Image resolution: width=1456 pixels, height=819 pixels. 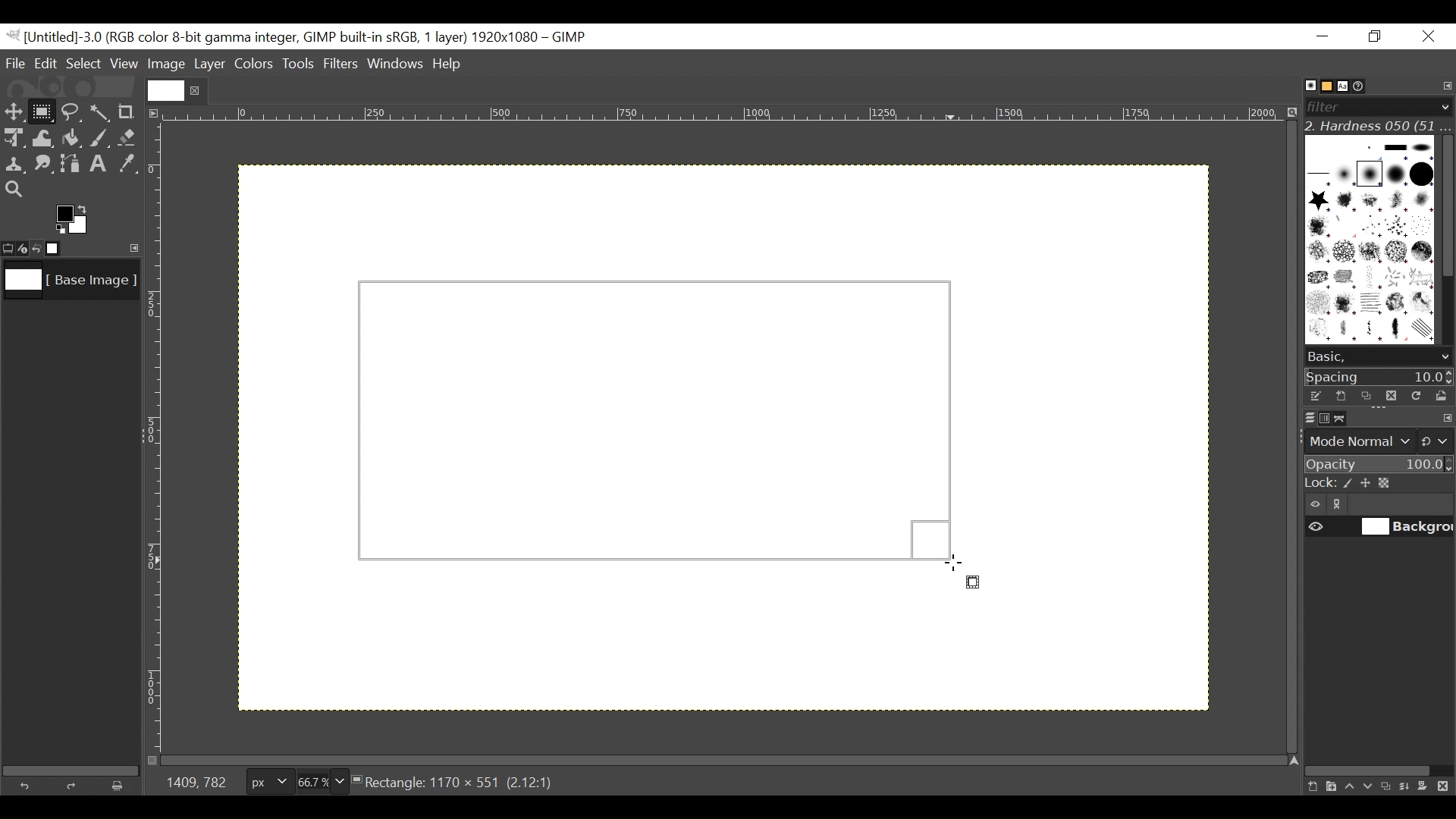 I want to click on File, so click(x=17, y=63).